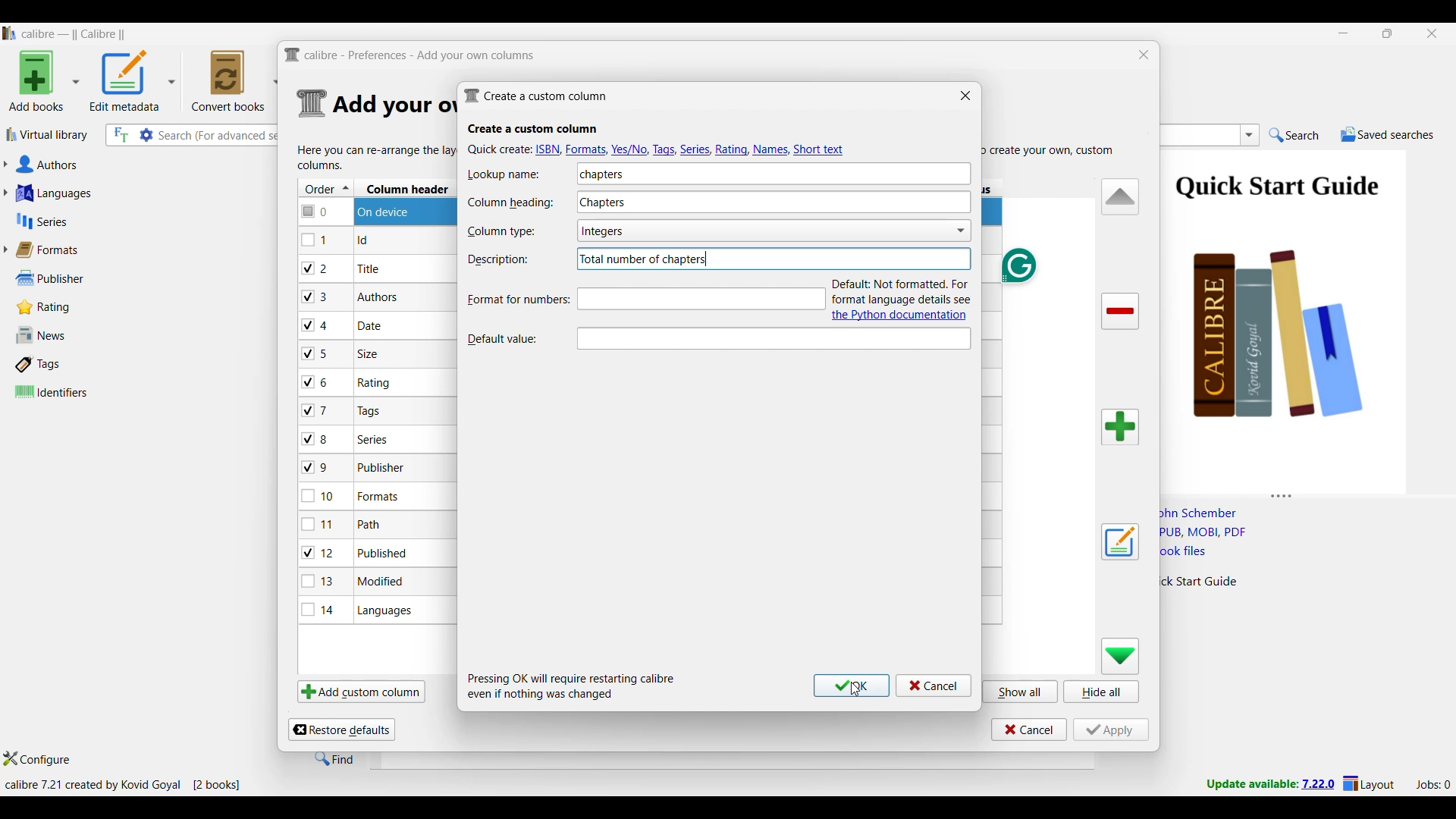  I want to click on checkbox - 2, so click(315, 268).